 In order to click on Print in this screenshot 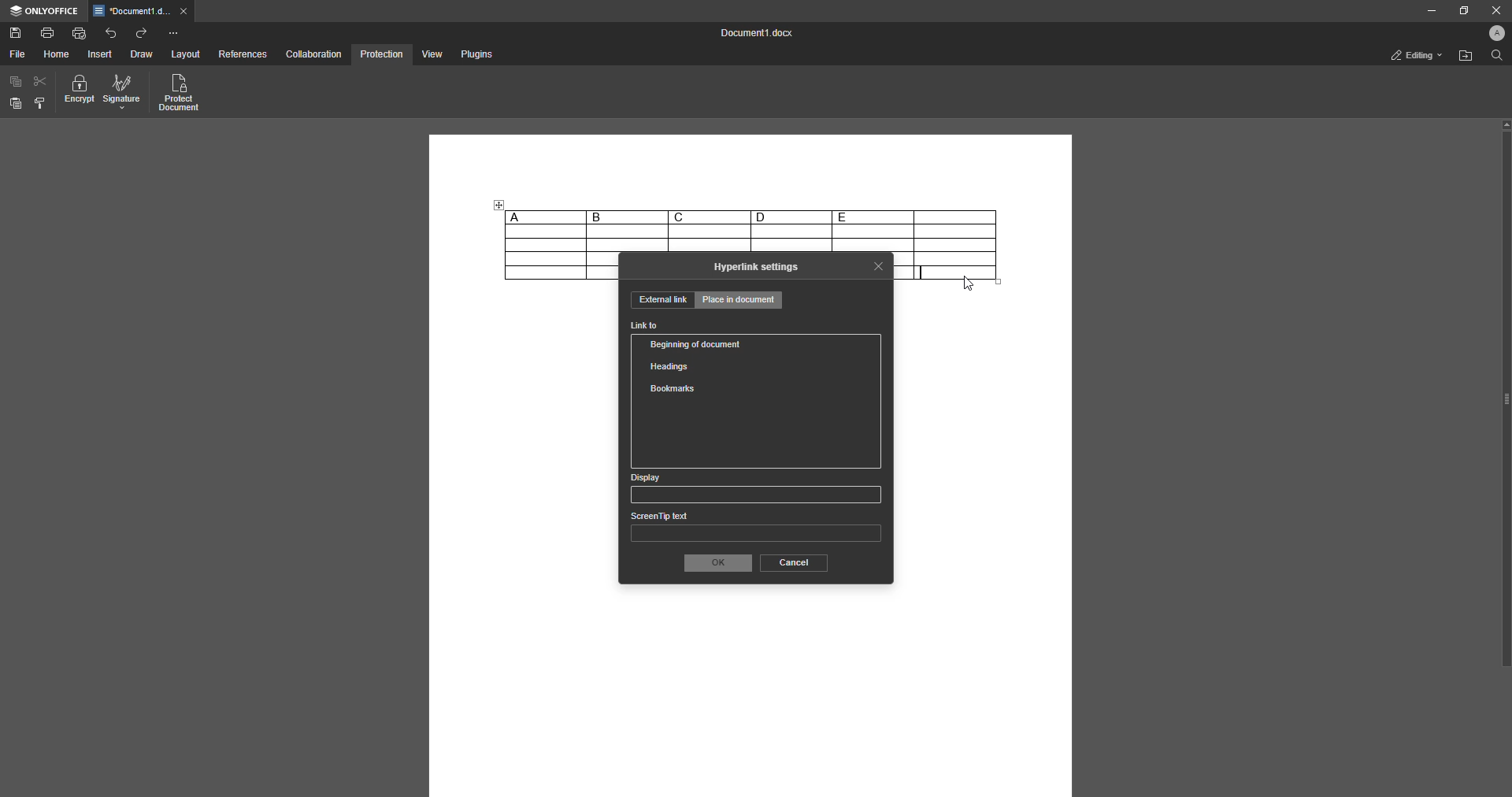, I will do `click(48, 32)`.